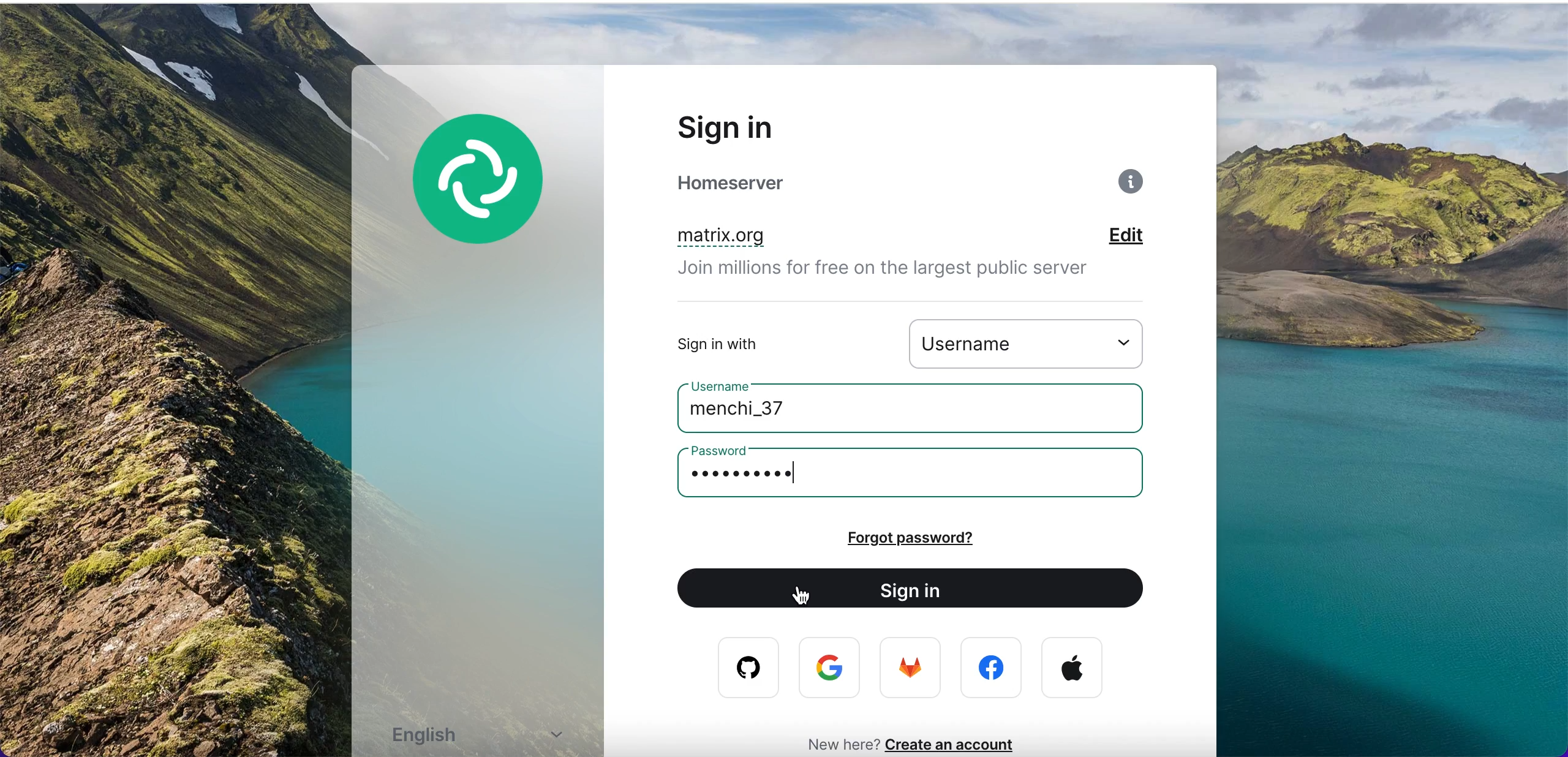 This screenshot has height=757, width=1568. I want to click on facebook logo, so click(994, 668).